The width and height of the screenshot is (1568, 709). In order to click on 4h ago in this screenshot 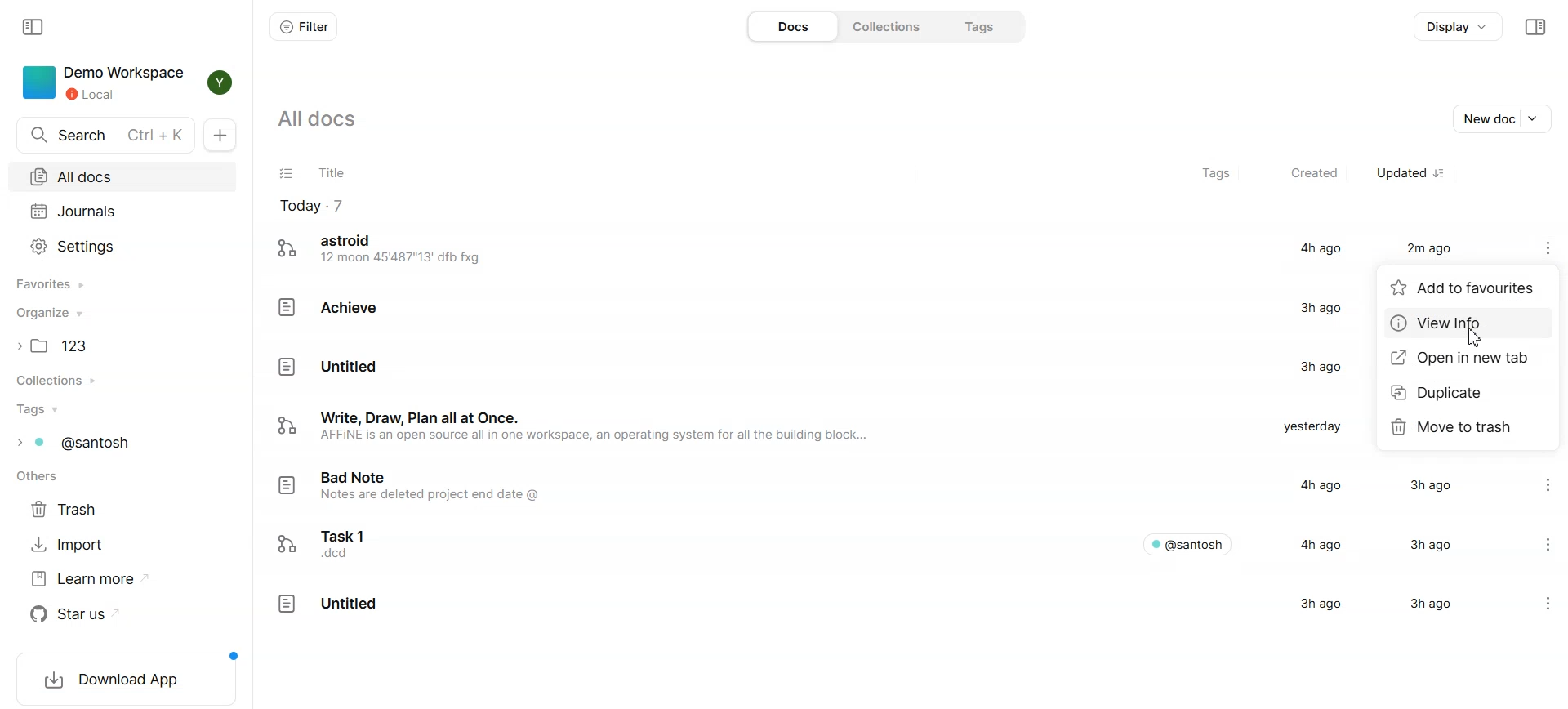, I will do `click(1321, 544)`.